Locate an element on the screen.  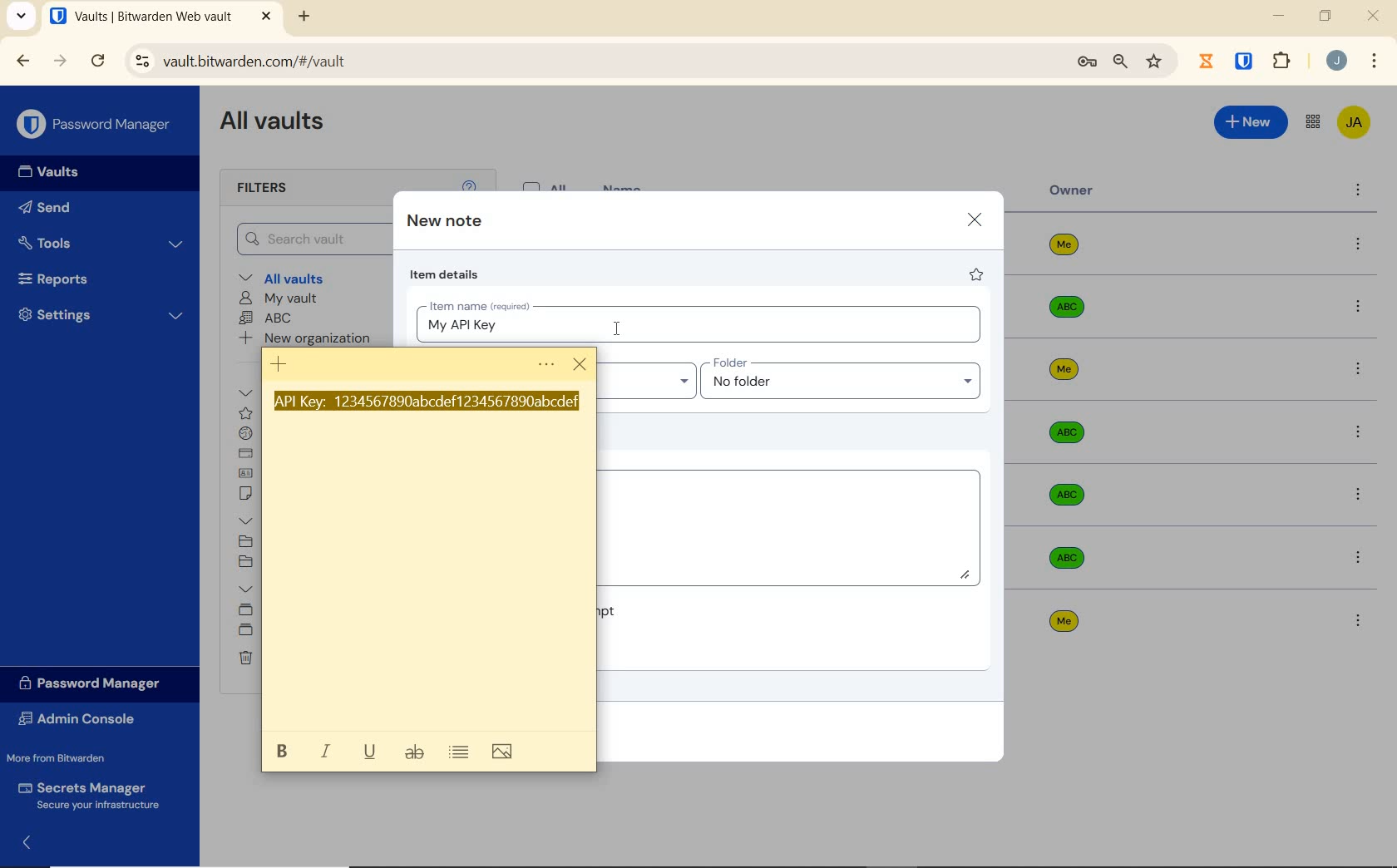
RELOAD is located at coordinates (99, 62).